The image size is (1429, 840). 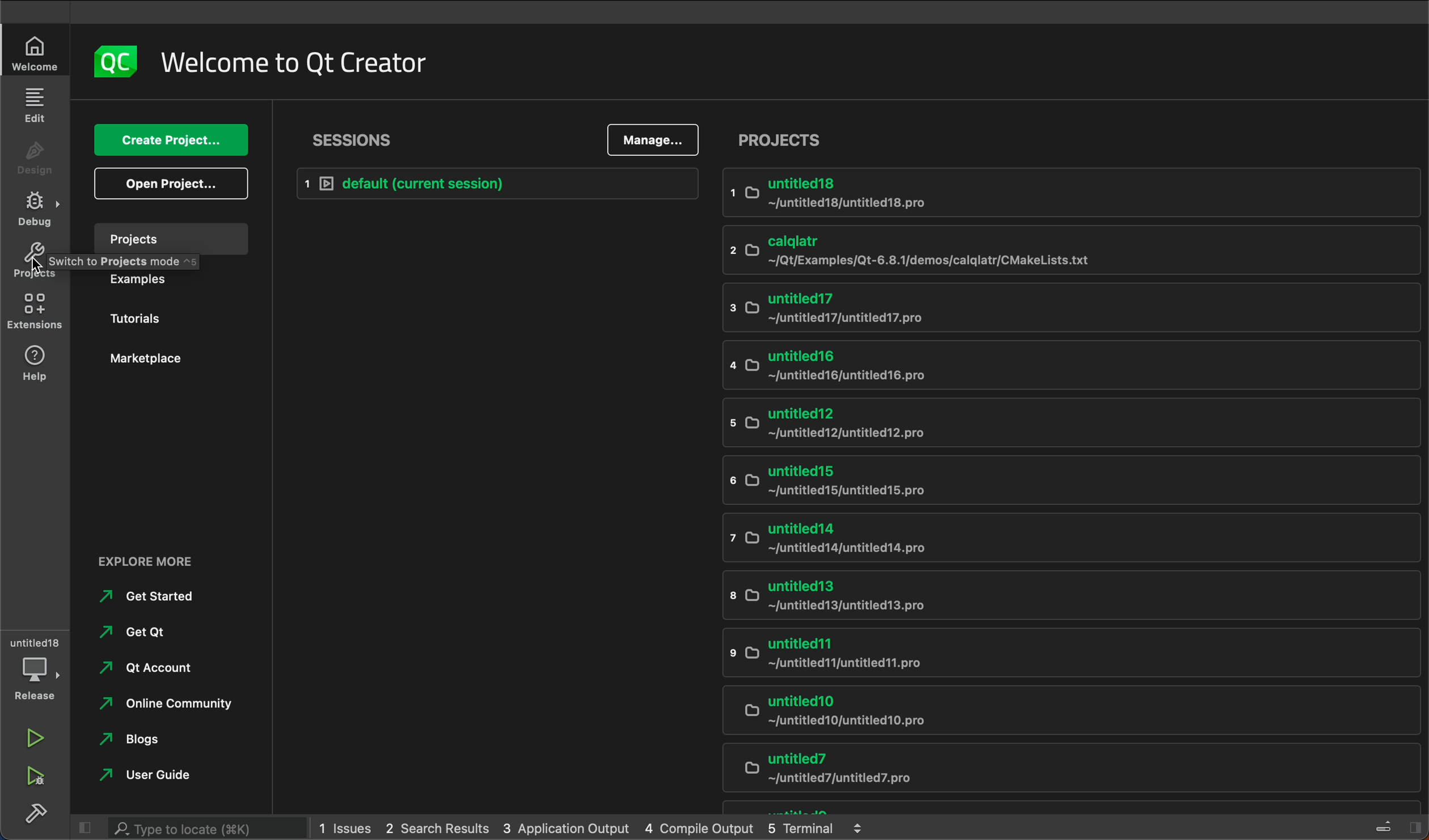 What do you see at coordinates (32, 52) in the screenshot?
I see `welcome` at bounding box center [32, 52].